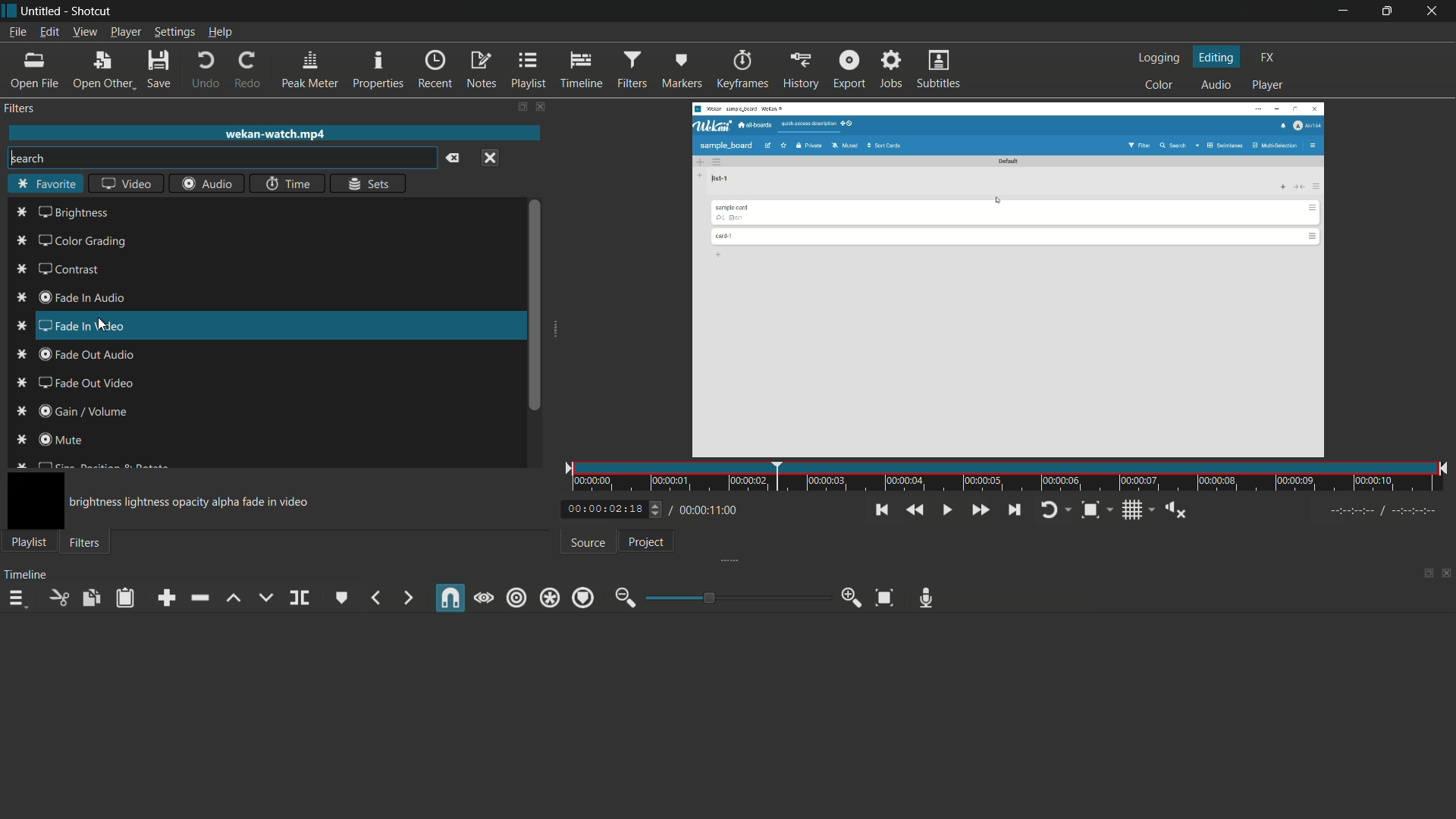  Describe the element at coordinates (454, 158) in the screenshot. I see `clear search` at that location.